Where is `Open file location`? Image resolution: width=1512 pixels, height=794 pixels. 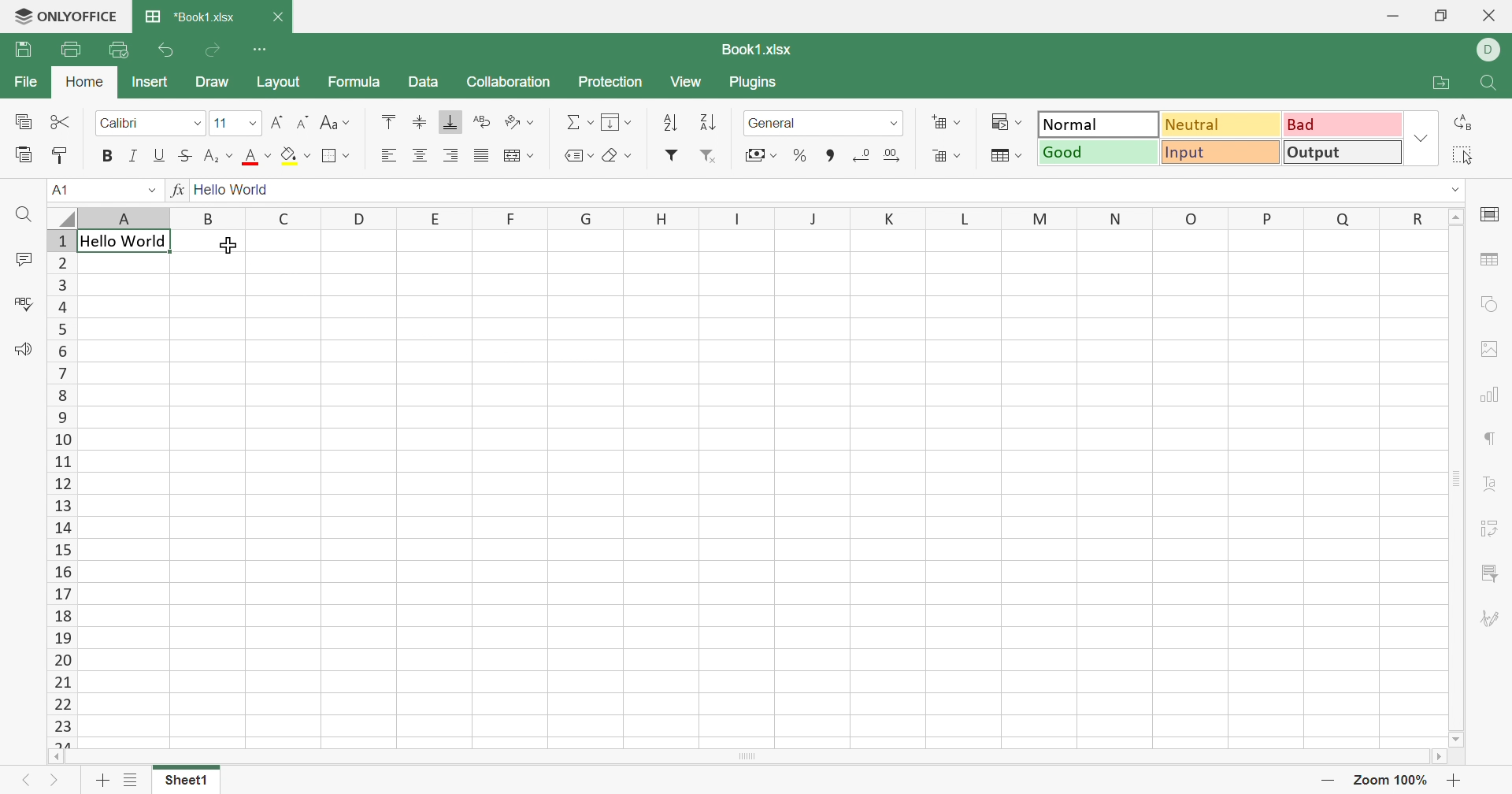 Open file location is located at coordinates (1440, 84).